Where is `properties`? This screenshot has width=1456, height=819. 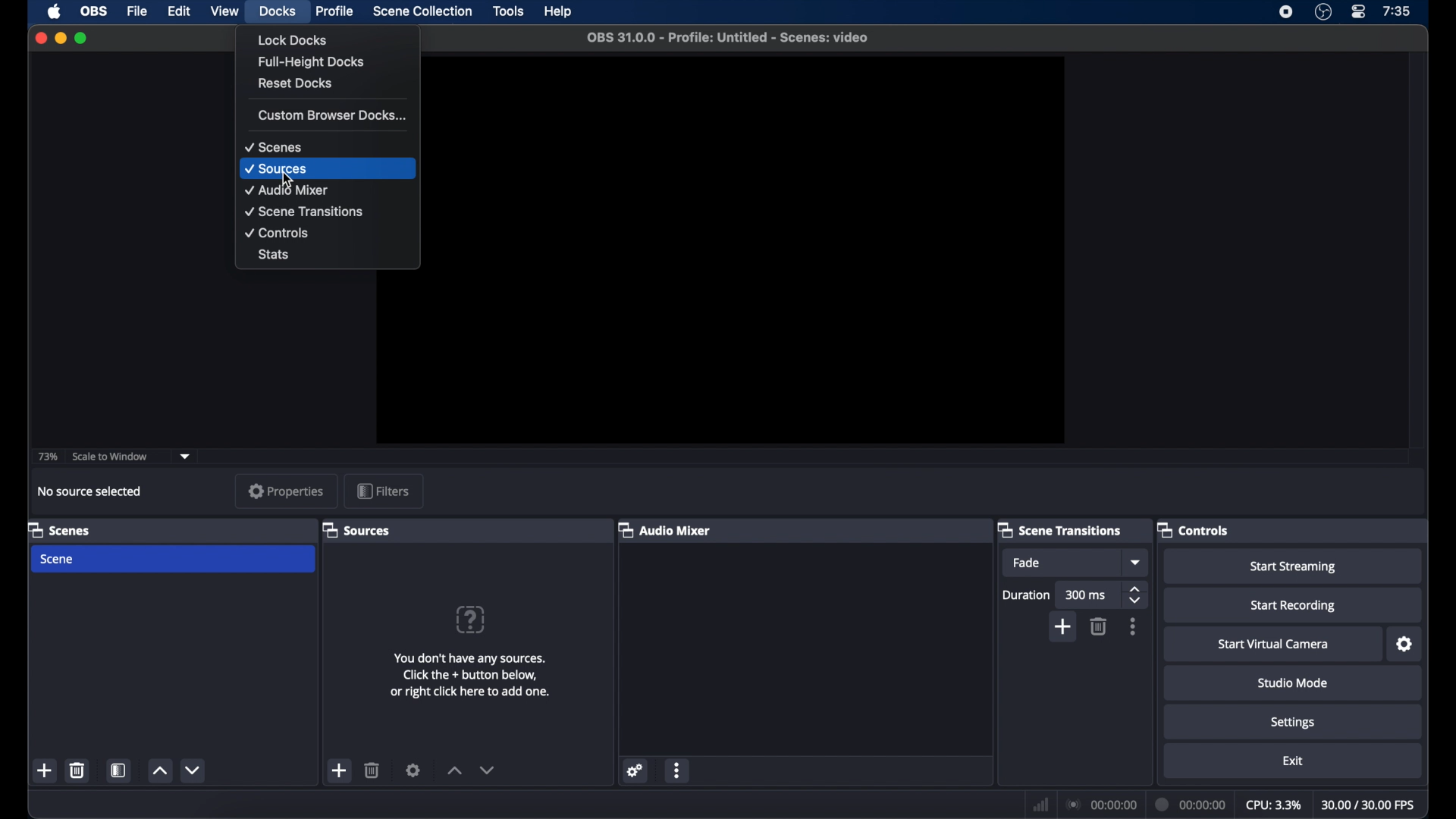
properties is located at coordinates (286, 491).